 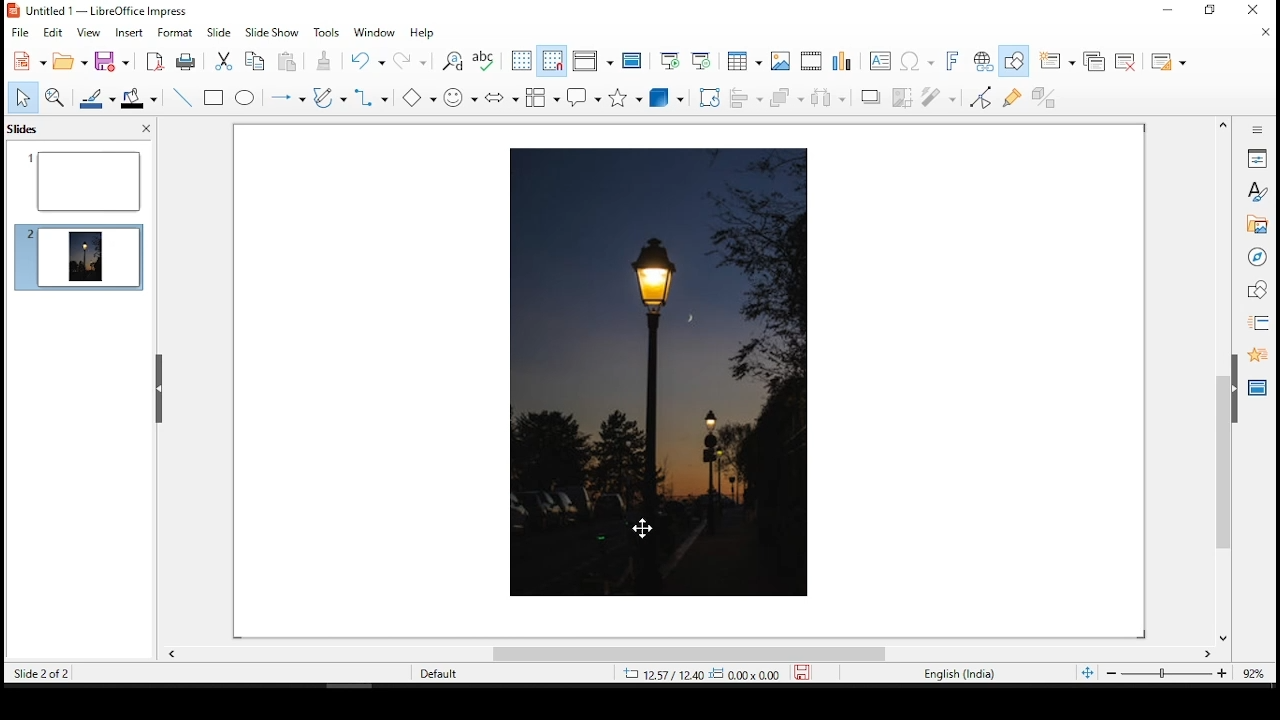 What do you see at coordinates (450, 59) in the screenshot?
I see `find and replace` at bounding box center [450, 59].